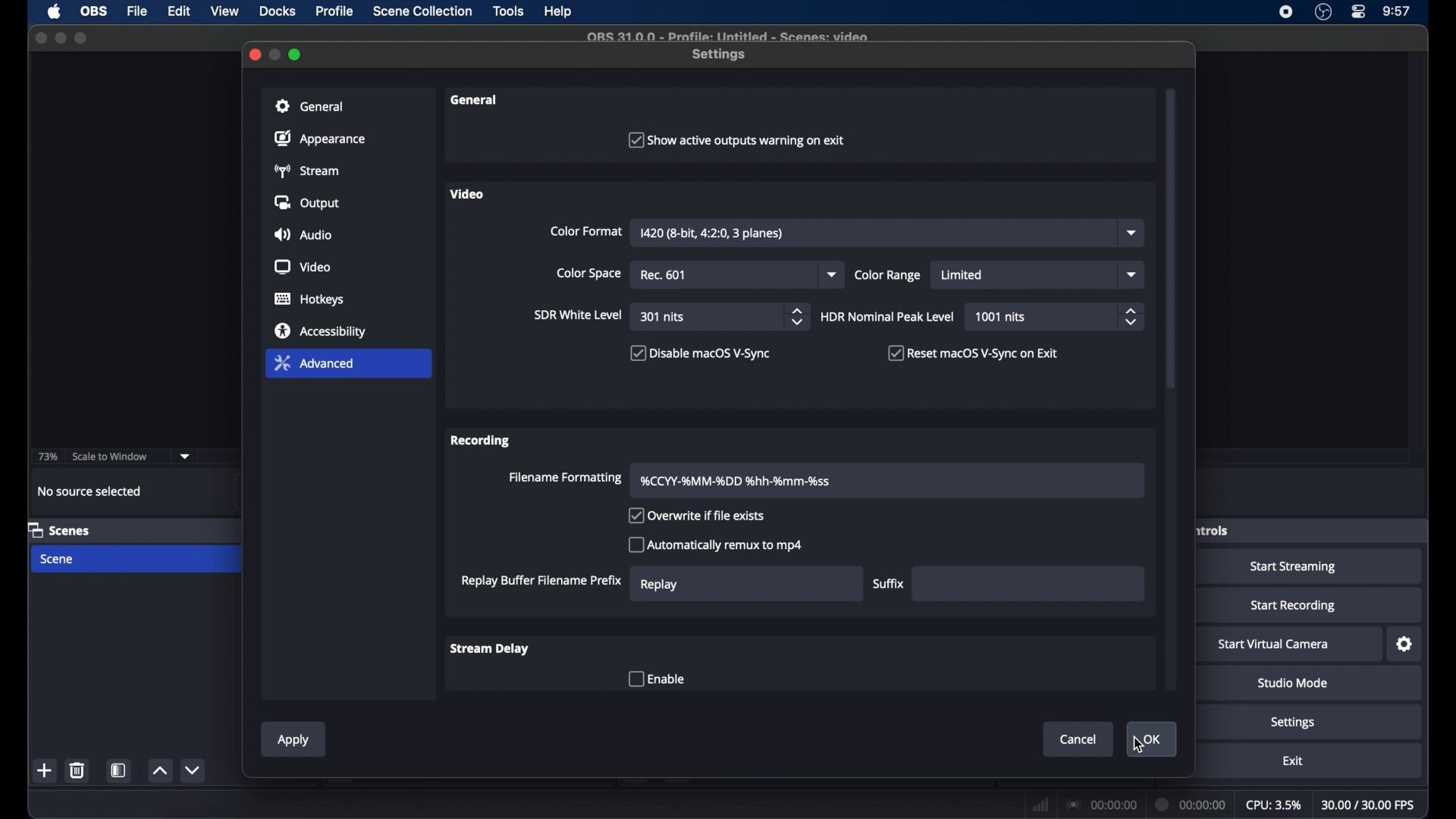 This screenshot has height=819, width=1456. I want to click on general, so click(477, 100).